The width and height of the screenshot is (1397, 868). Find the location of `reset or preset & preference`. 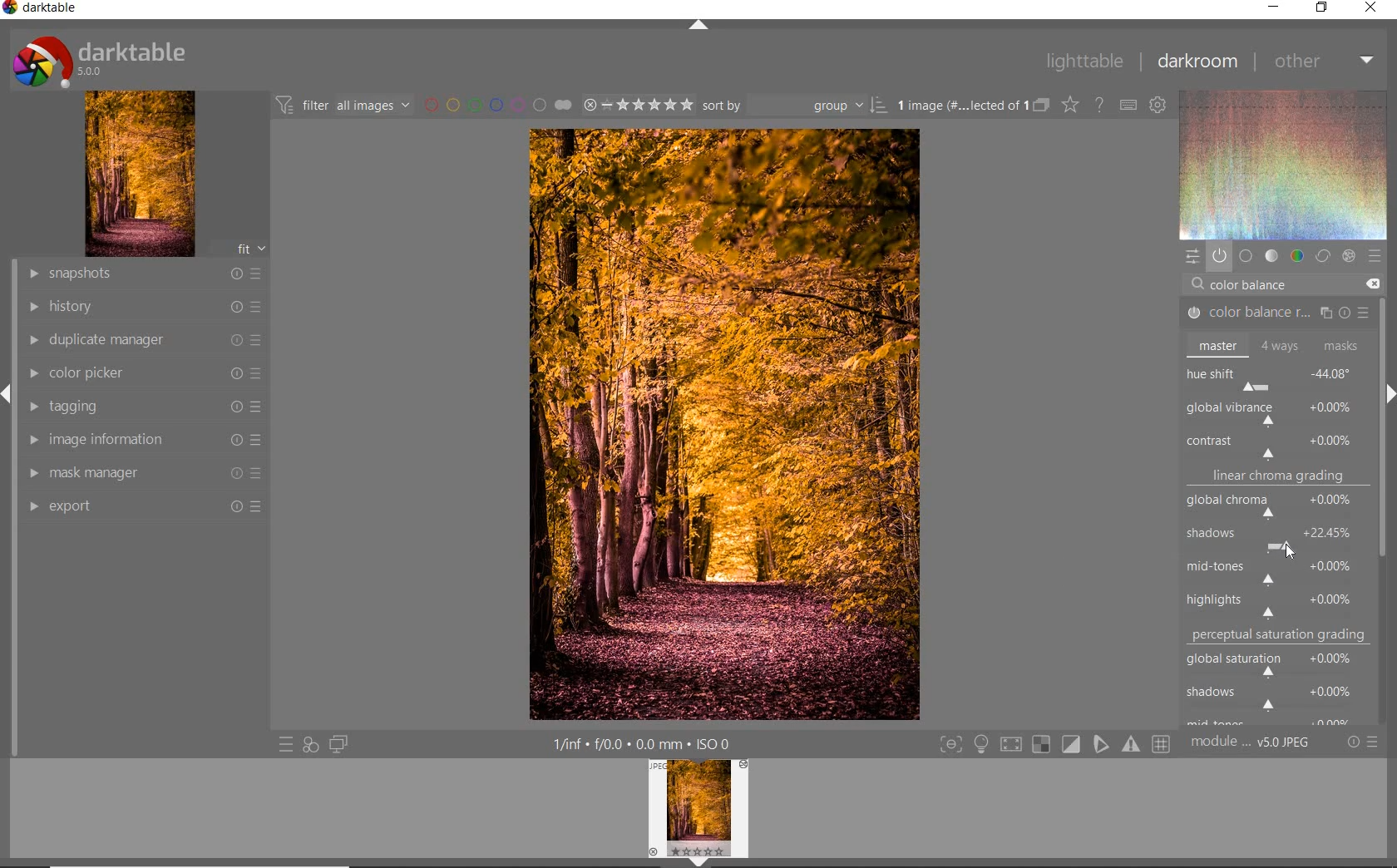

reset or preset & preference is located at coordinates (1361, 742).